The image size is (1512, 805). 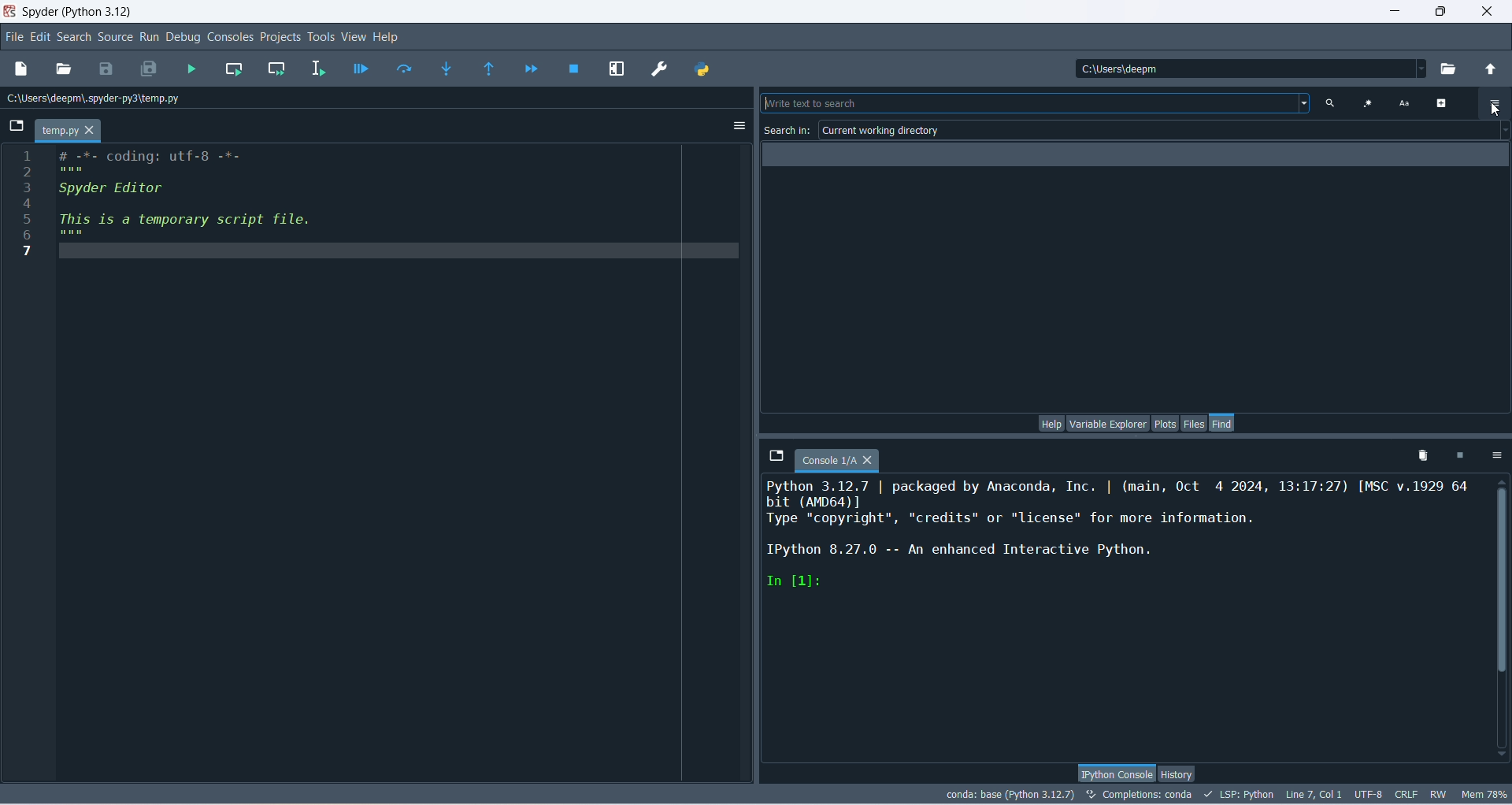 I want to click on cursor, so click(x=1492, y=108).